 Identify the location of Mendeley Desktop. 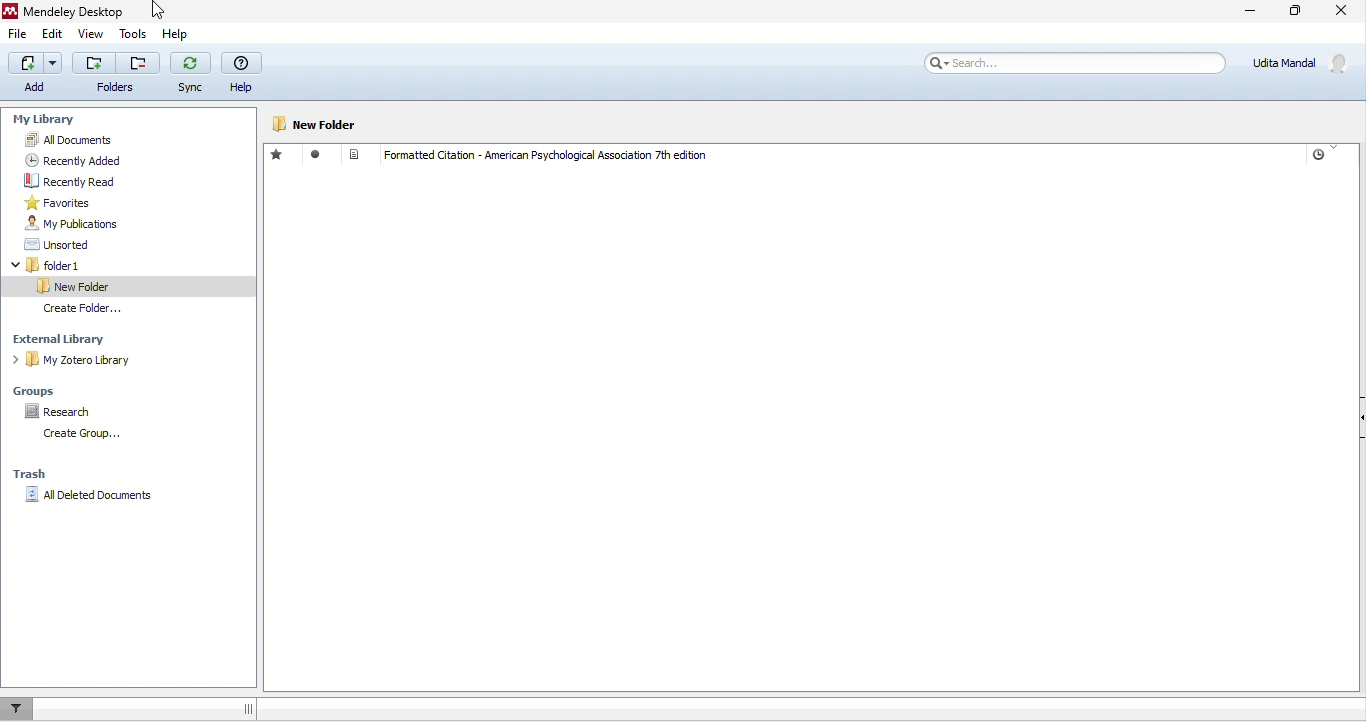
(74, 12).